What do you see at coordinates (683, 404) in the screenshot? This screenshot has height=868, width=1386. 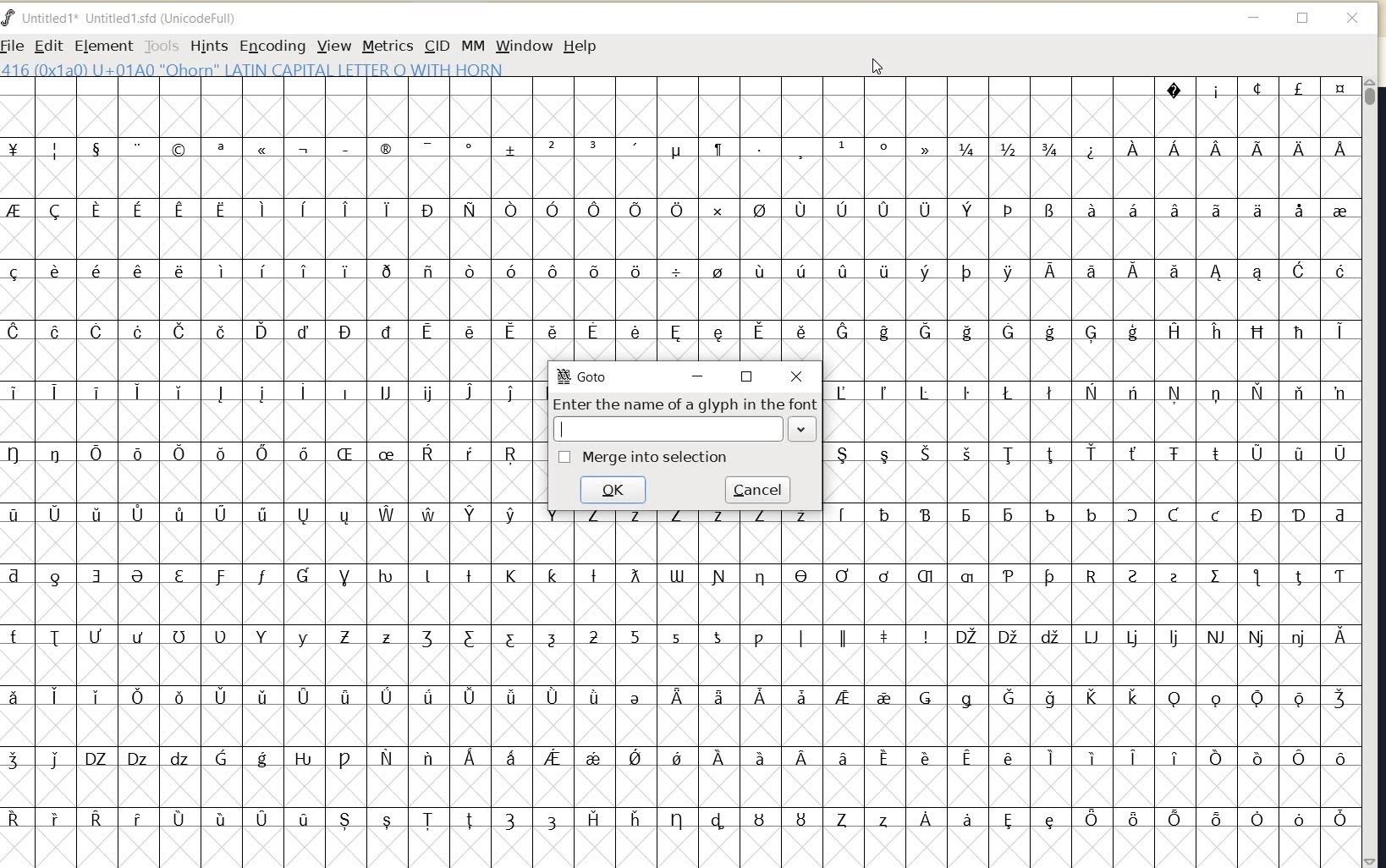 I see `Enter the name of a glyph in th font` at bounding box center [683, 404].